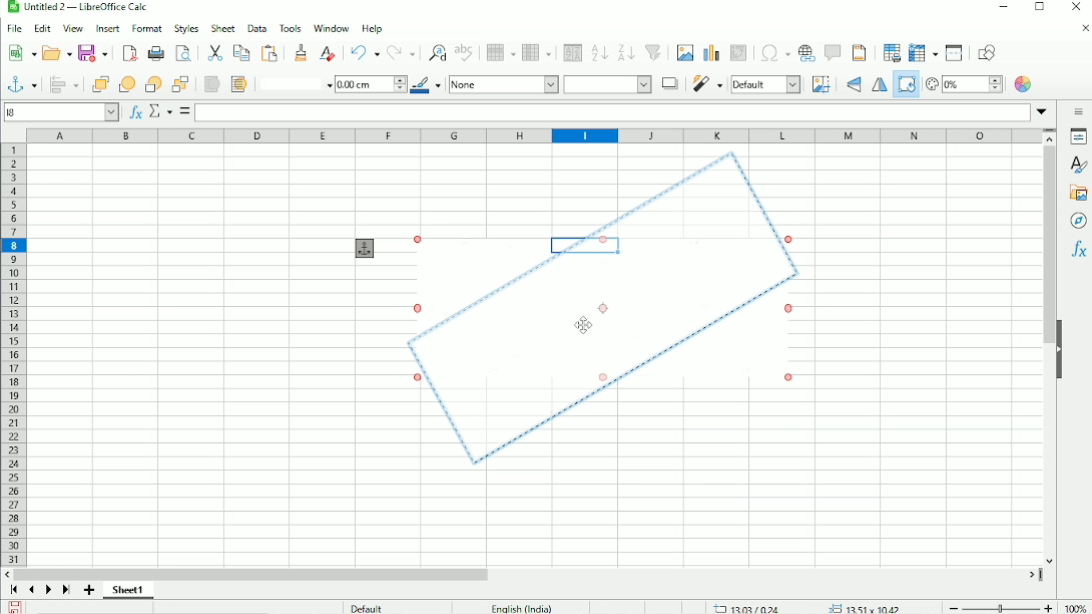 This screenshot has height=614, width=1092. What do you see at coordinates (655, 53) in the screenshot?
I see `Autofilter` at bounding box center [655, 53].